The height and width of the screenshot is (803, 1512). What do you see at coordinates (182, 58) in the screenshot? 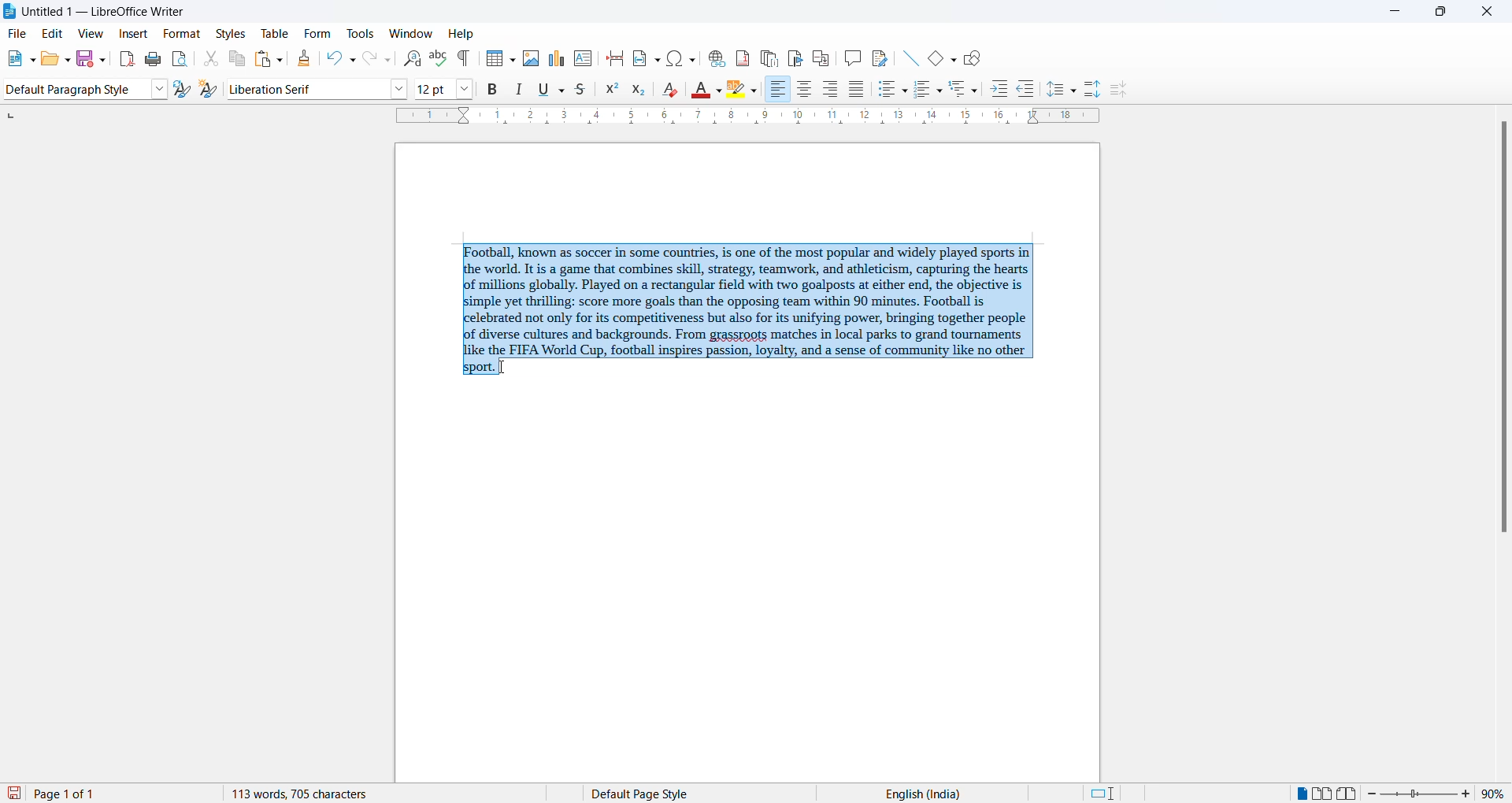
I see `print preview` at bounding box center [182, 58].